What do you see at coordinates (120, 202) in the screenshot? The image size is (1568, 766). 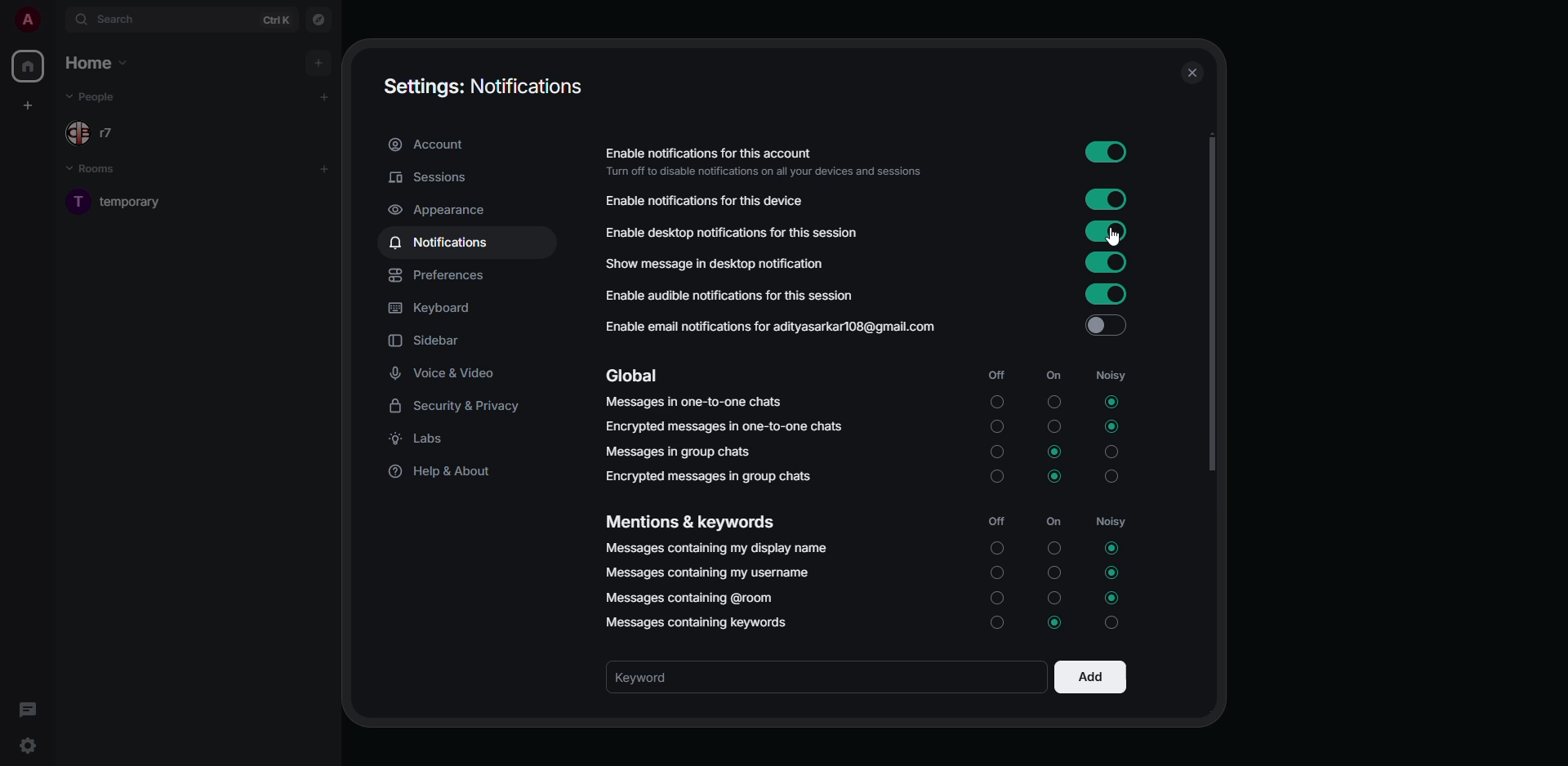 I see `room` at bounding box center [120, 202].